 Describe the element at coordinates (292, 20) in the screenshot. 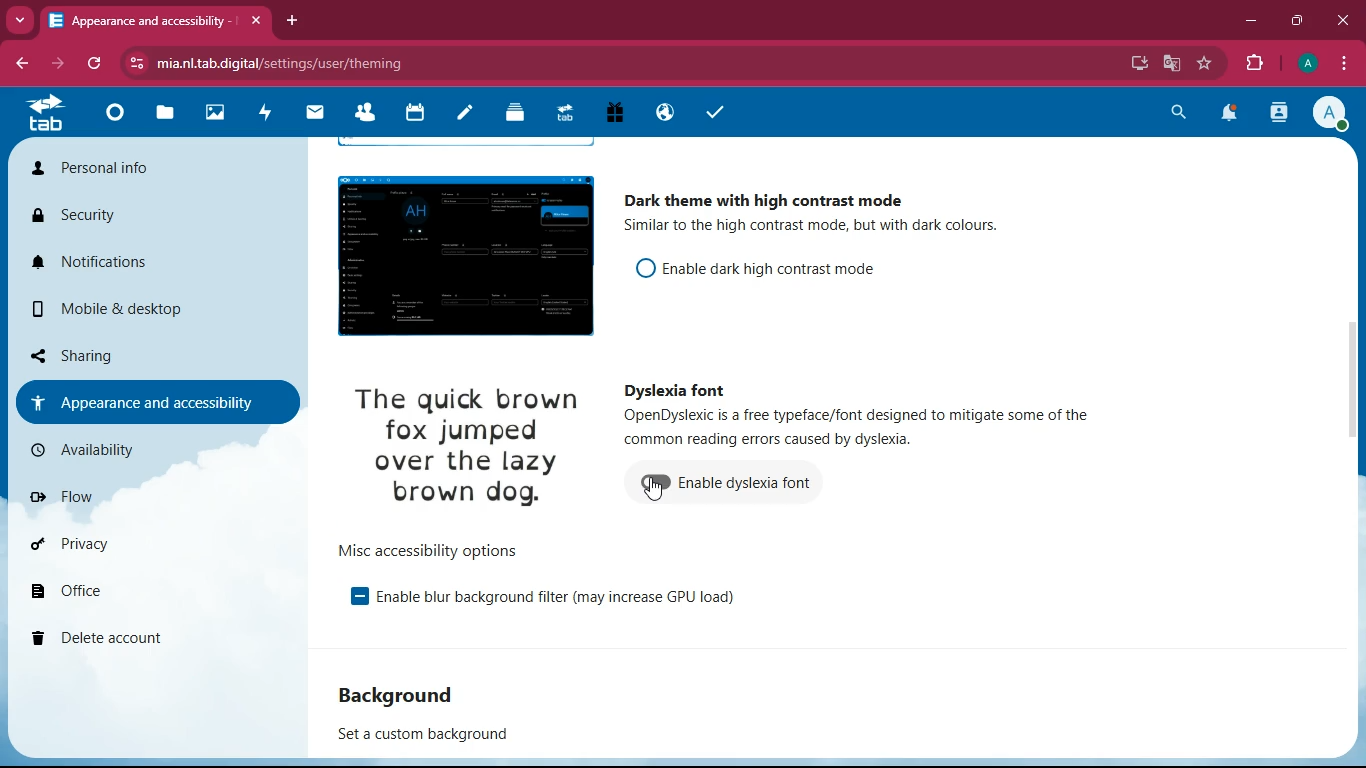

I see `add tab` at that location.